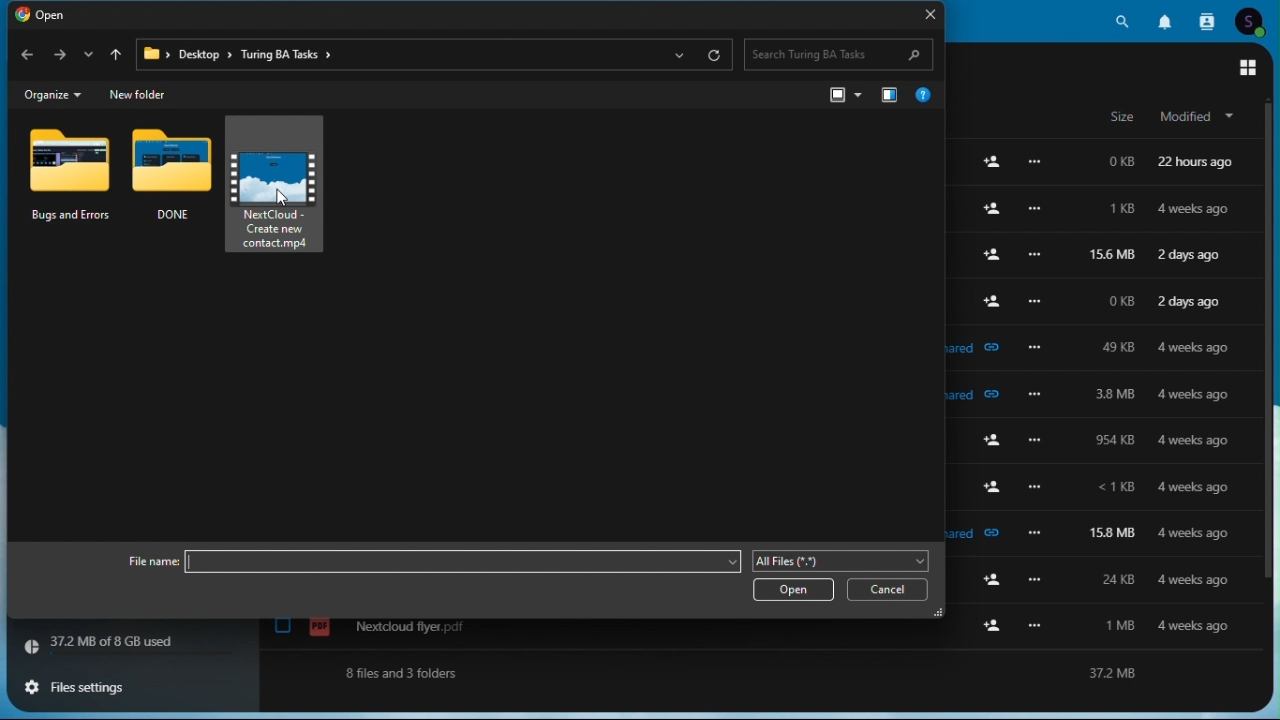 This screenshot has width=1280, height=720. What do you see at coordinates (1116, 301) in the screenshot?
I see `0kb` at bounding box center [1116, 301].